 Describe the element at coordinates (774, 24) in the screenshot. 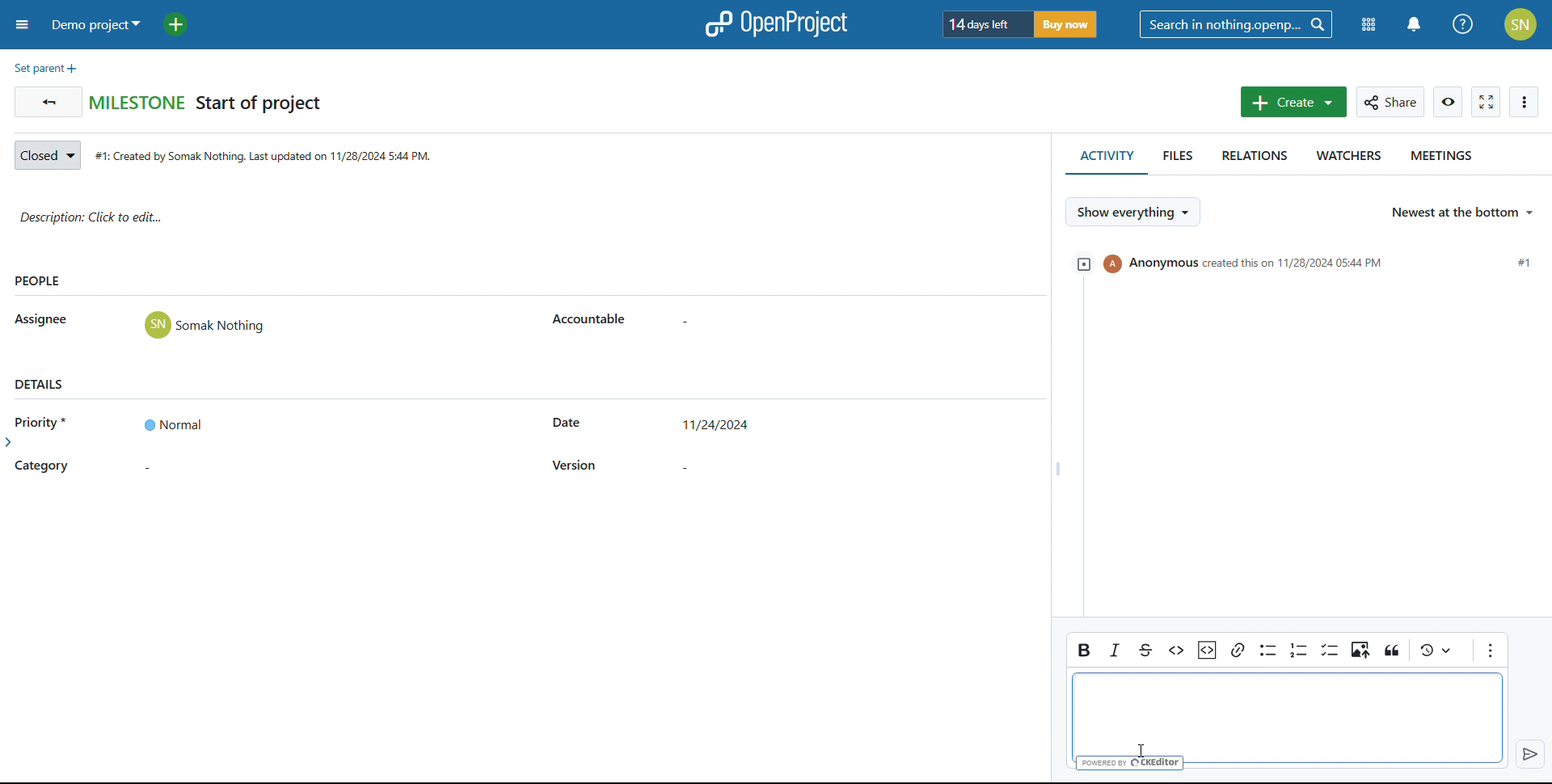

I see `logo` at that location.